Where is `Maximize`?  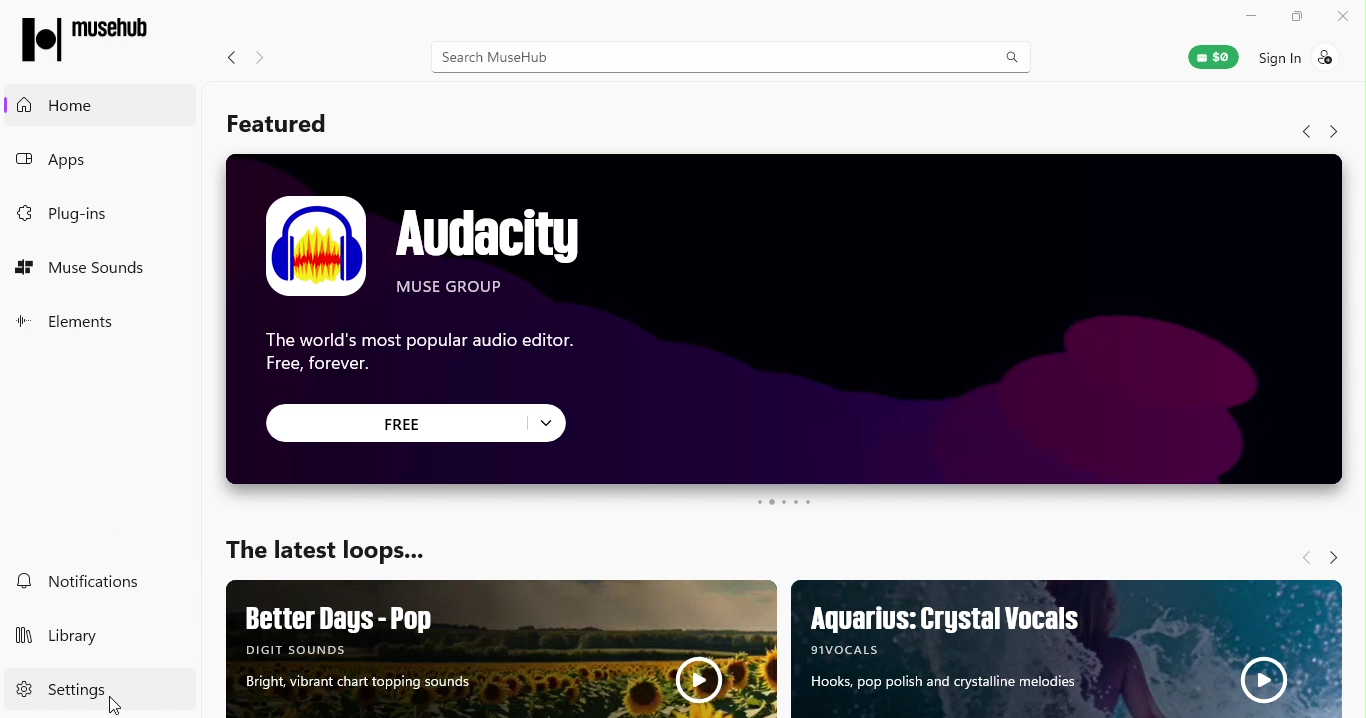 Maximize is located at coordinates (1293, 16).